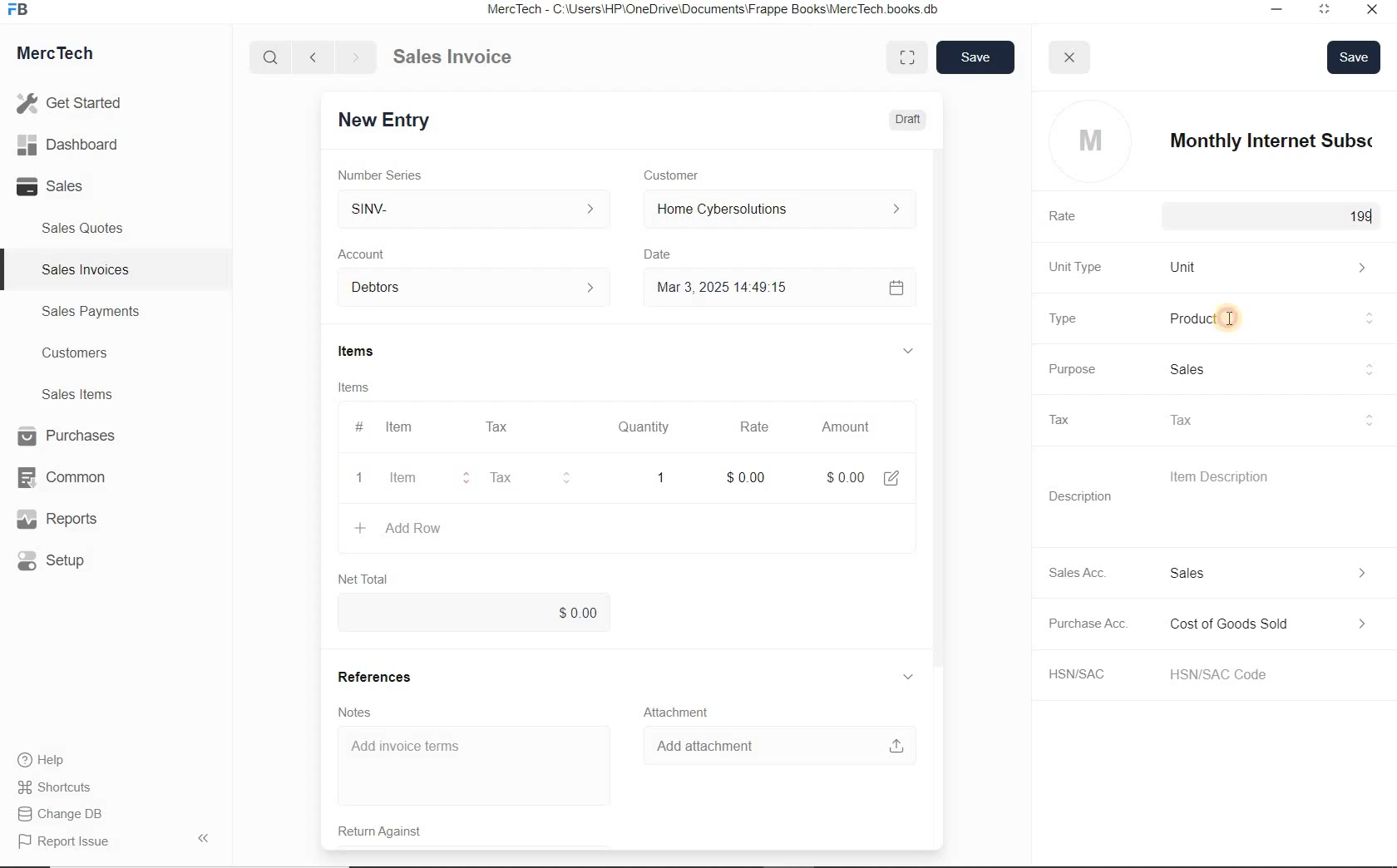 Image resolution: width=1397 pixels, height=868 pixels. What do you see at coordinates (75, 186) in the screenshot?
I see `Sales` at bounding box center [75, 186].